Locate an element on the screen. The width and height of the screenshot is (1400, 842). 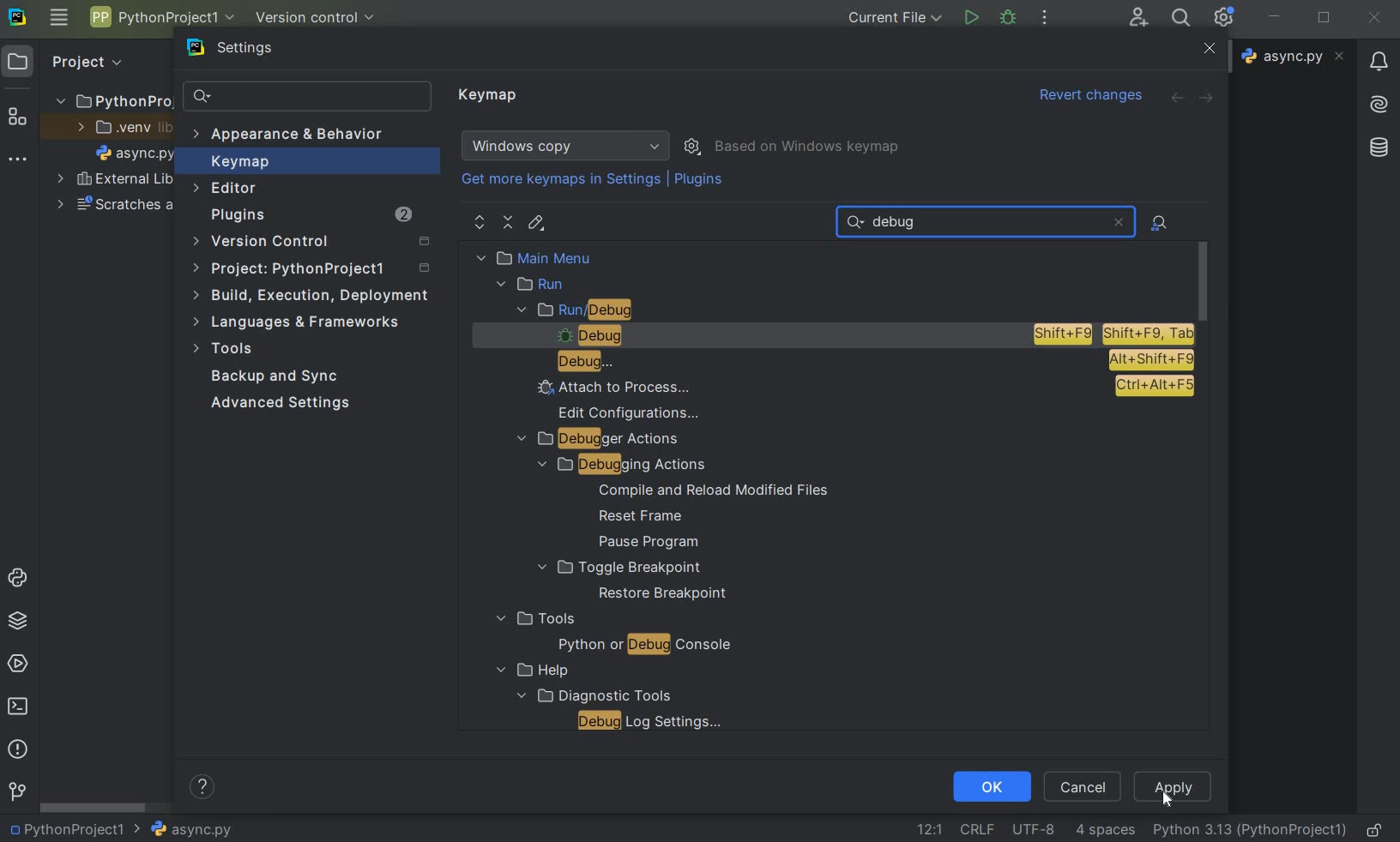
AI asistant is located at coordinates (1377, 99).